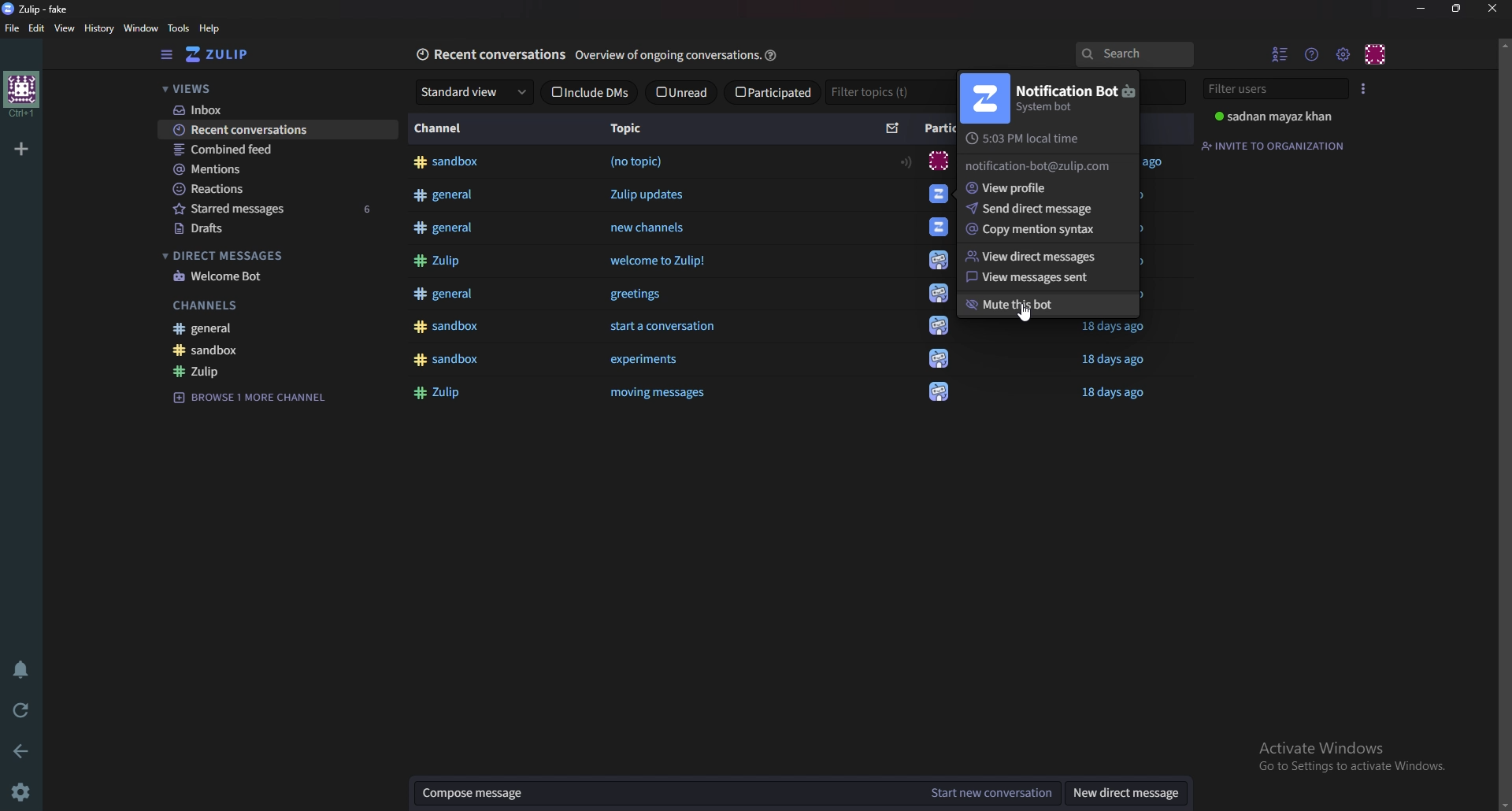 This screenshot has height=811, width=1512. What do you see at coordinates (254, 328) in the screenshot?
I see `General` at bounding box center [254, 328].